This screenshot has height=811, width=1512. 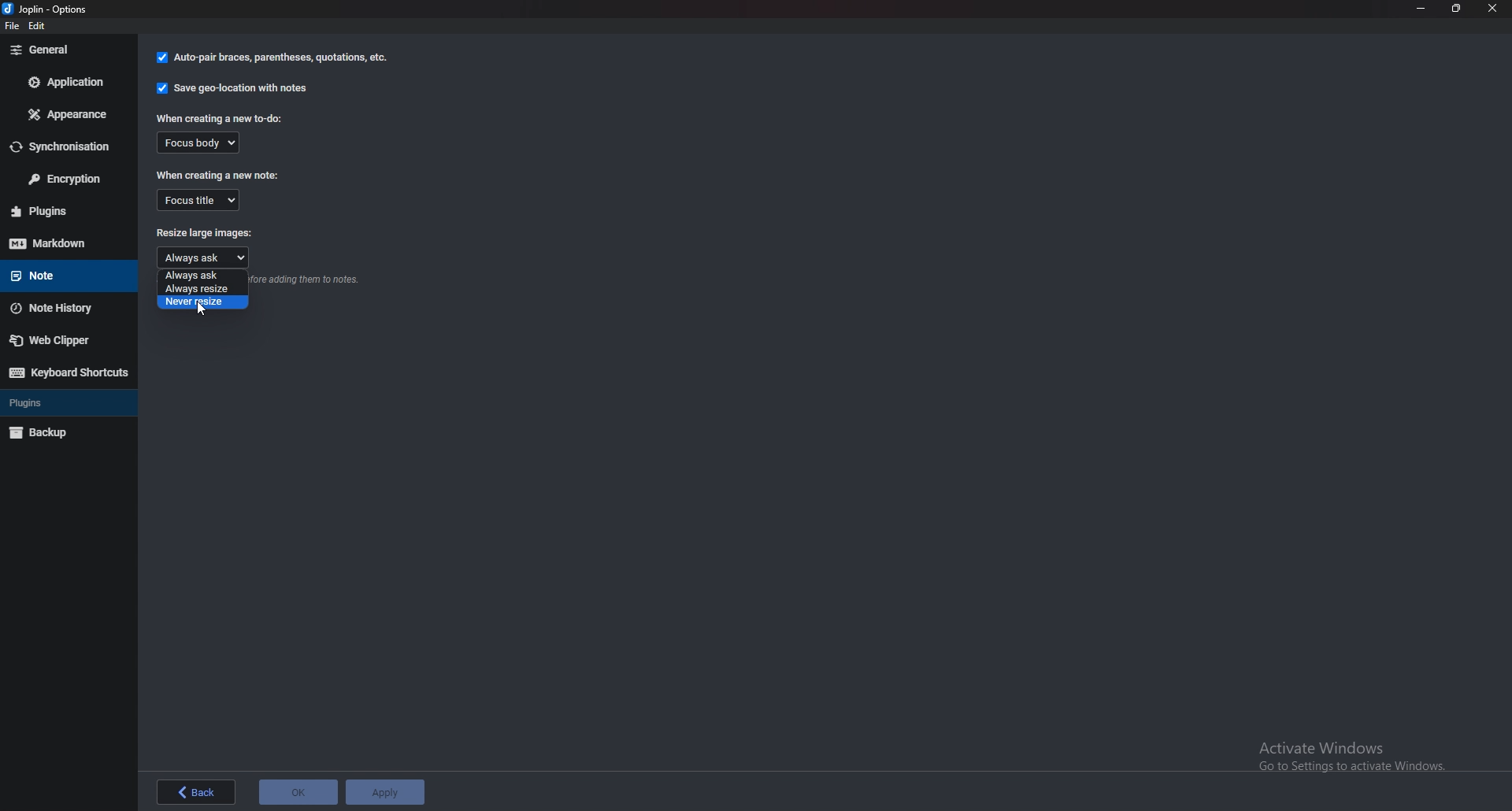 I want to click on options, so click(x=53, y=9).